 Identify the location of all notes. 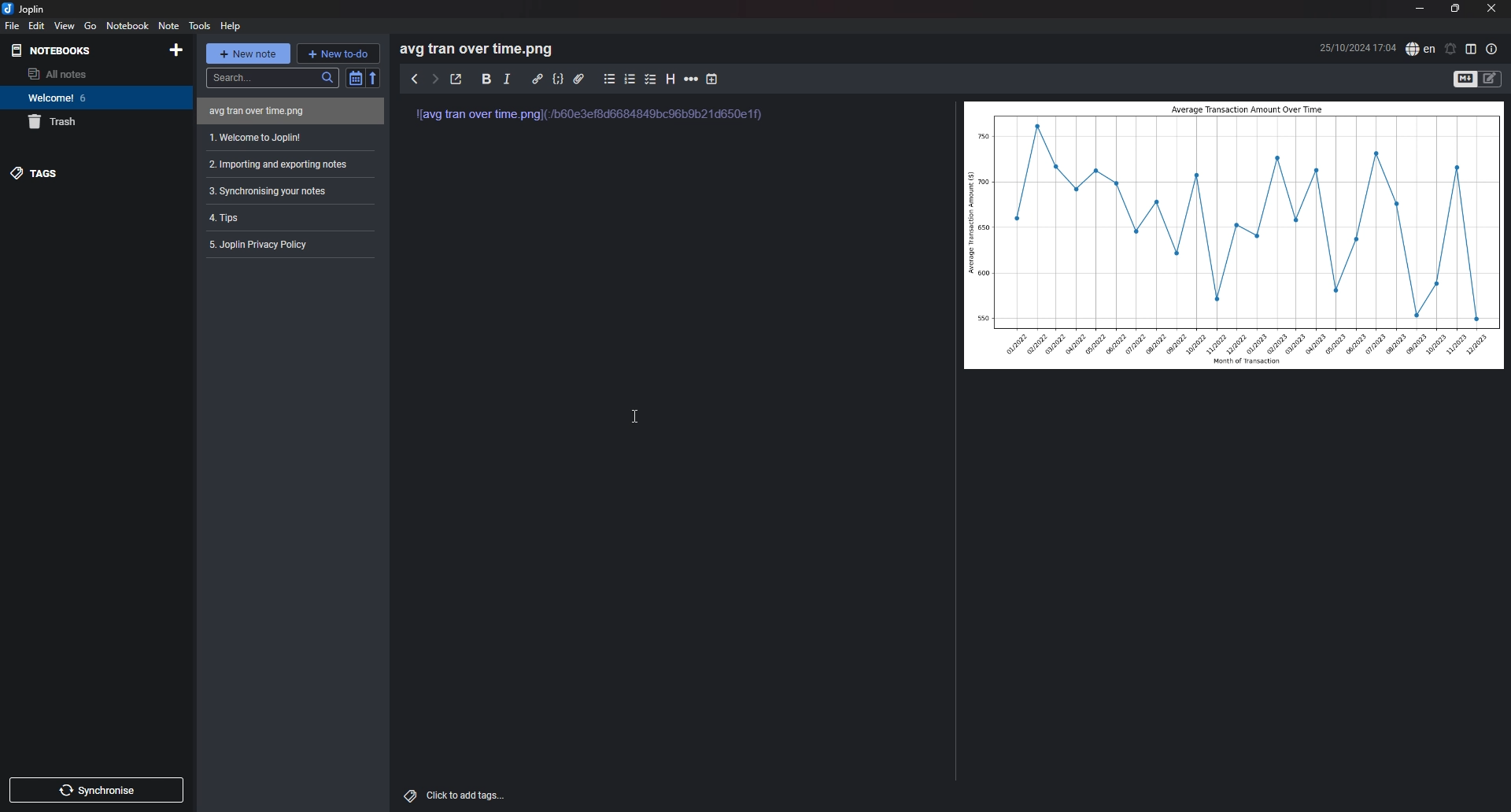
(85, 73).